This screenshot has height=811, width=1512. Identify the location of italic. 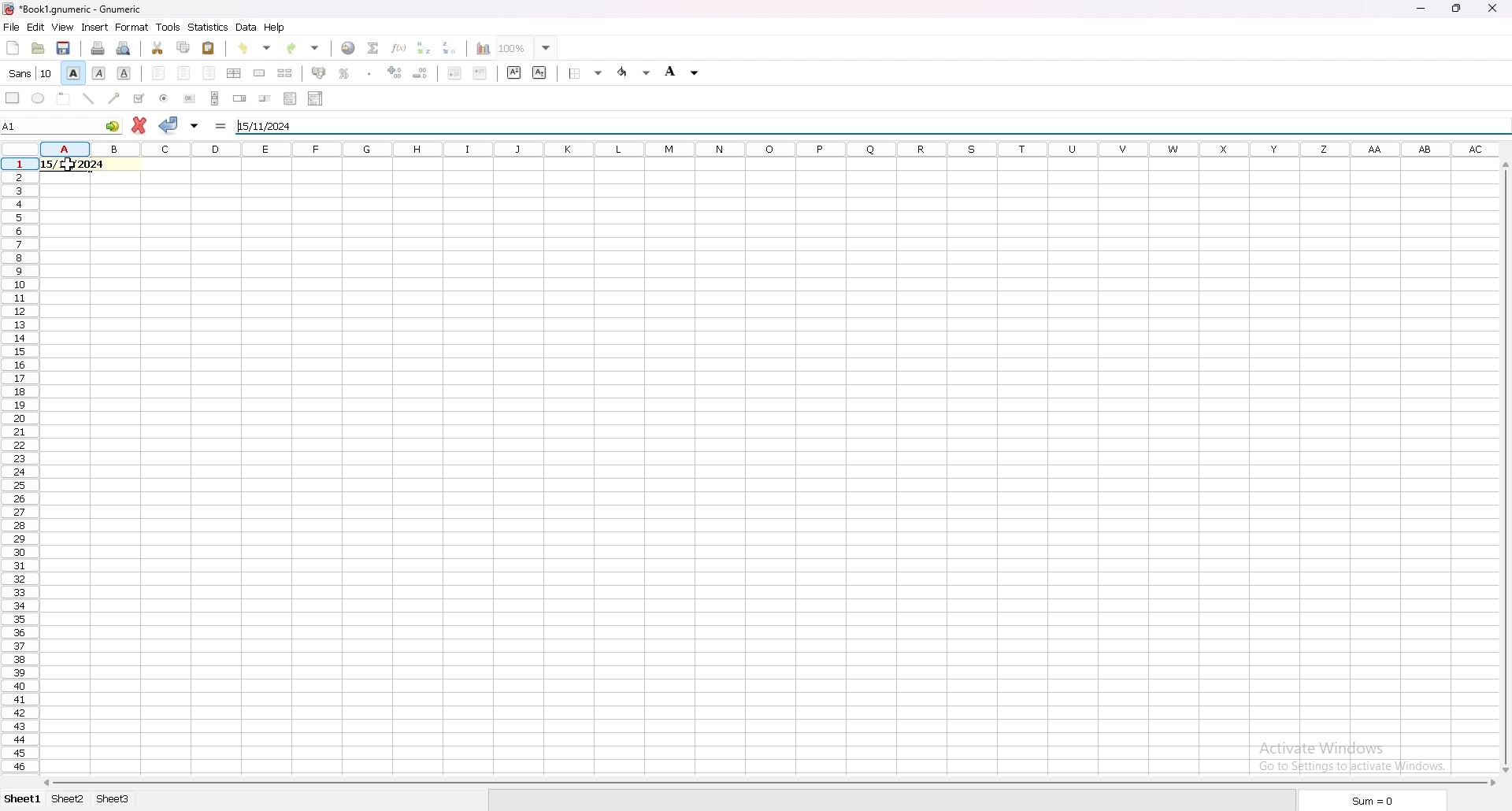
(98, 74).